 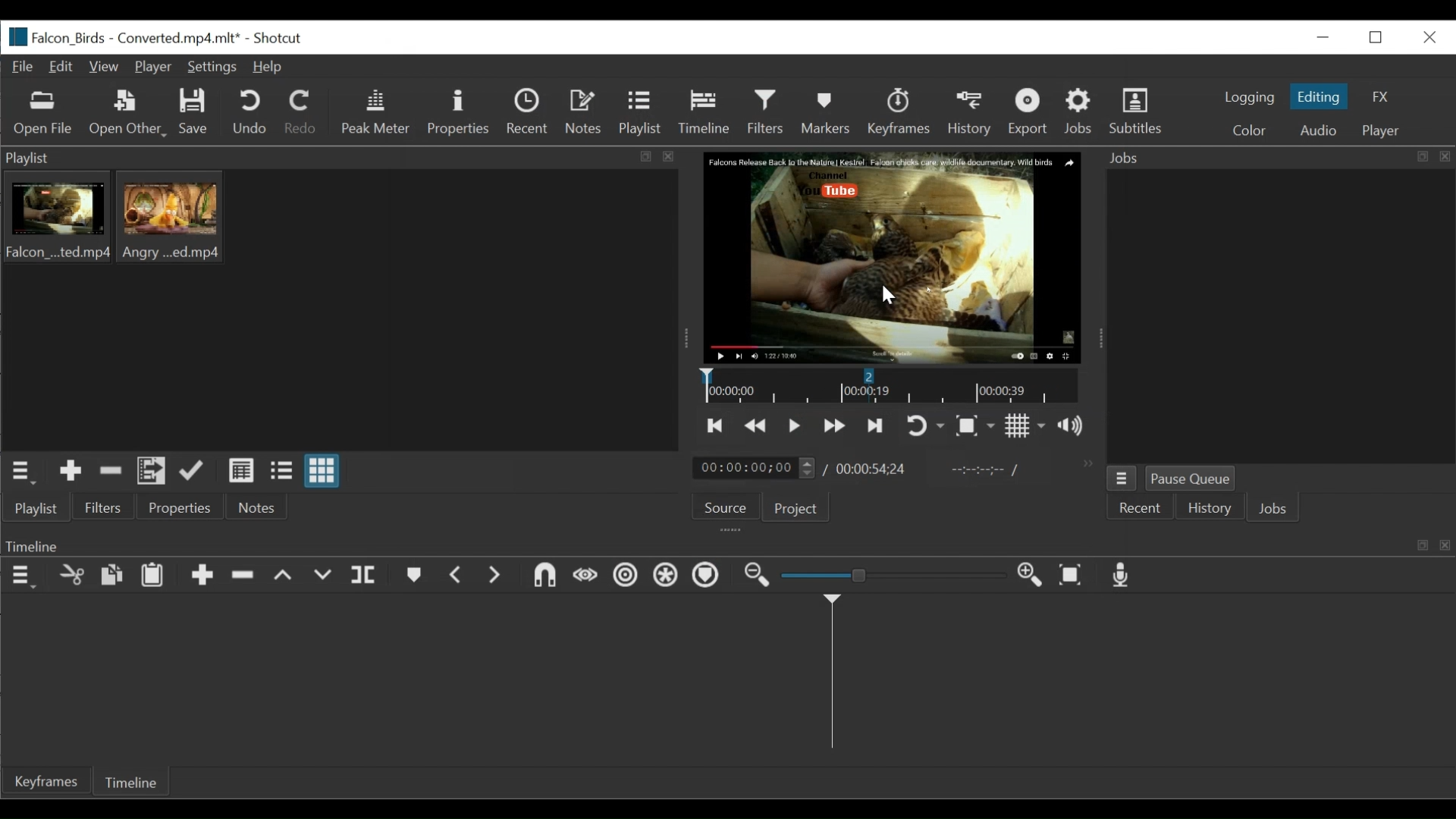 What do you see at coordinates (243, 472) in the screenshot?
I see `View as details` at bounding box center [243, 472].